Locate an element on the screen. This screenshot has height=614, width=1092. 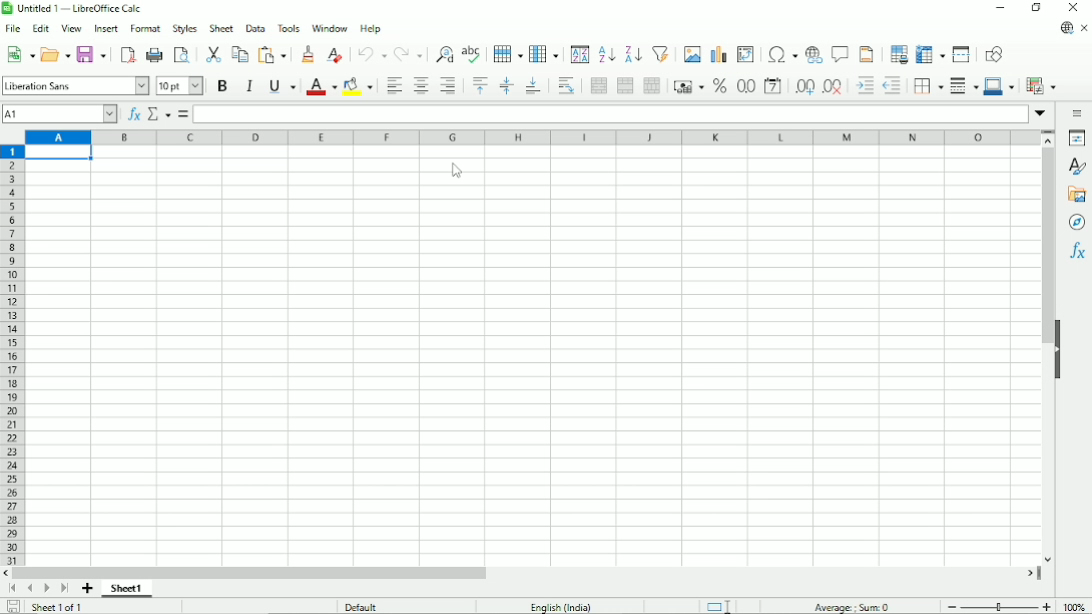
Format is located at coordinates (145, 29).